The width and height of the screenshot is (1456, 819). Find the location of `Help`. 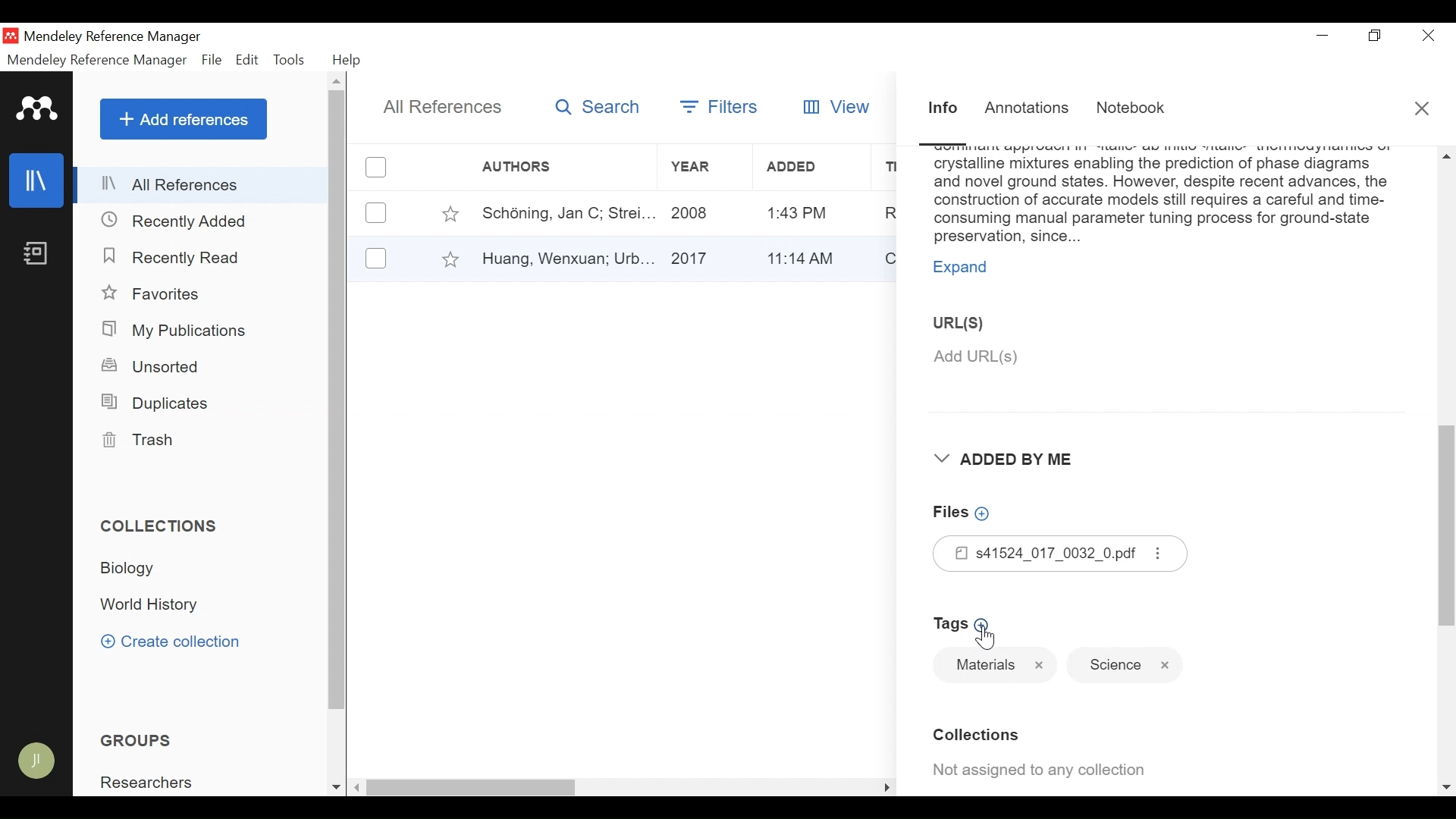

Help is located at coordinates (348, 61).